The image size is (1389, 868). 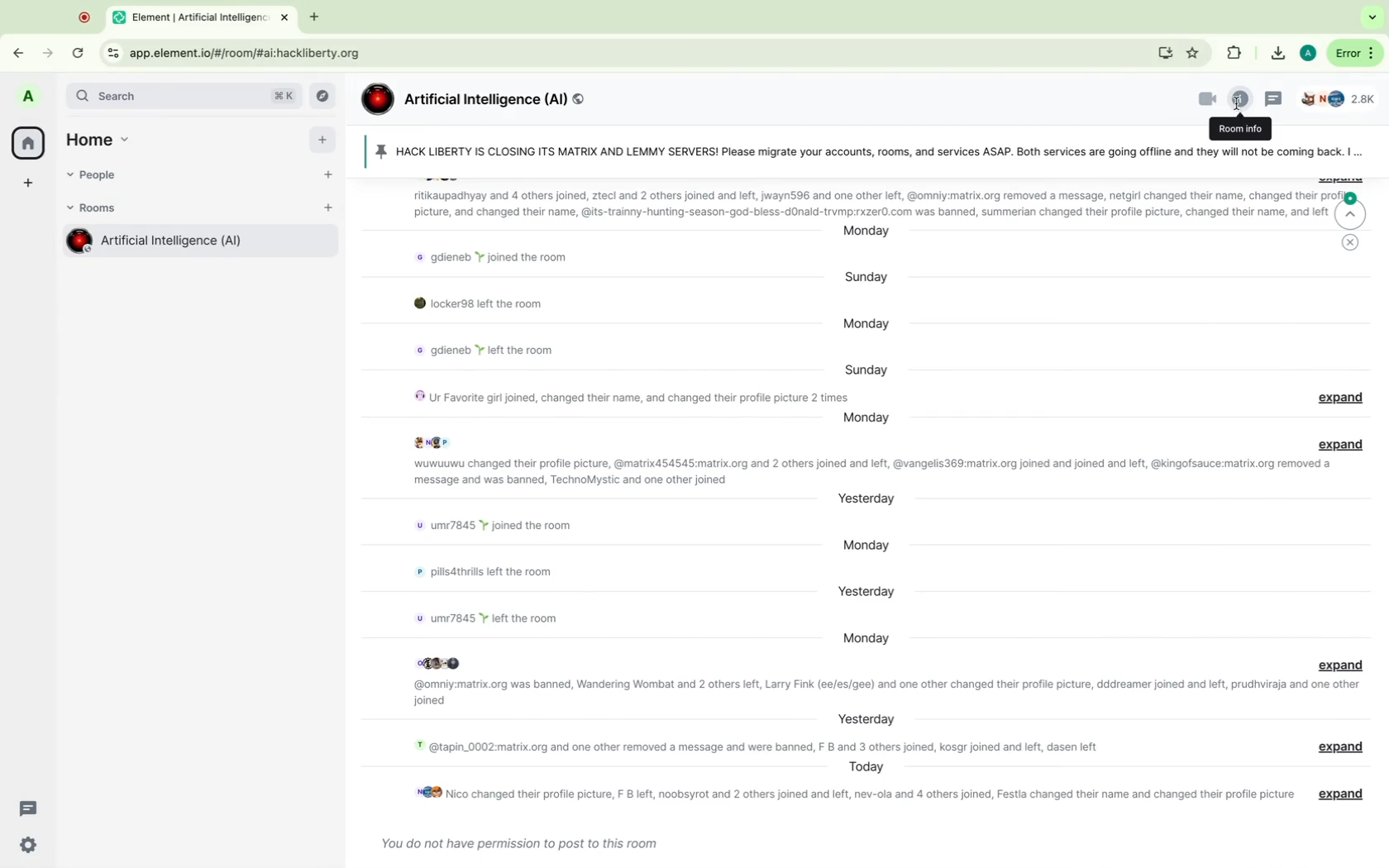 What do you see at coordinates (863, 589) in the screenshot?
I see `day` at bounding box center [863, 589].